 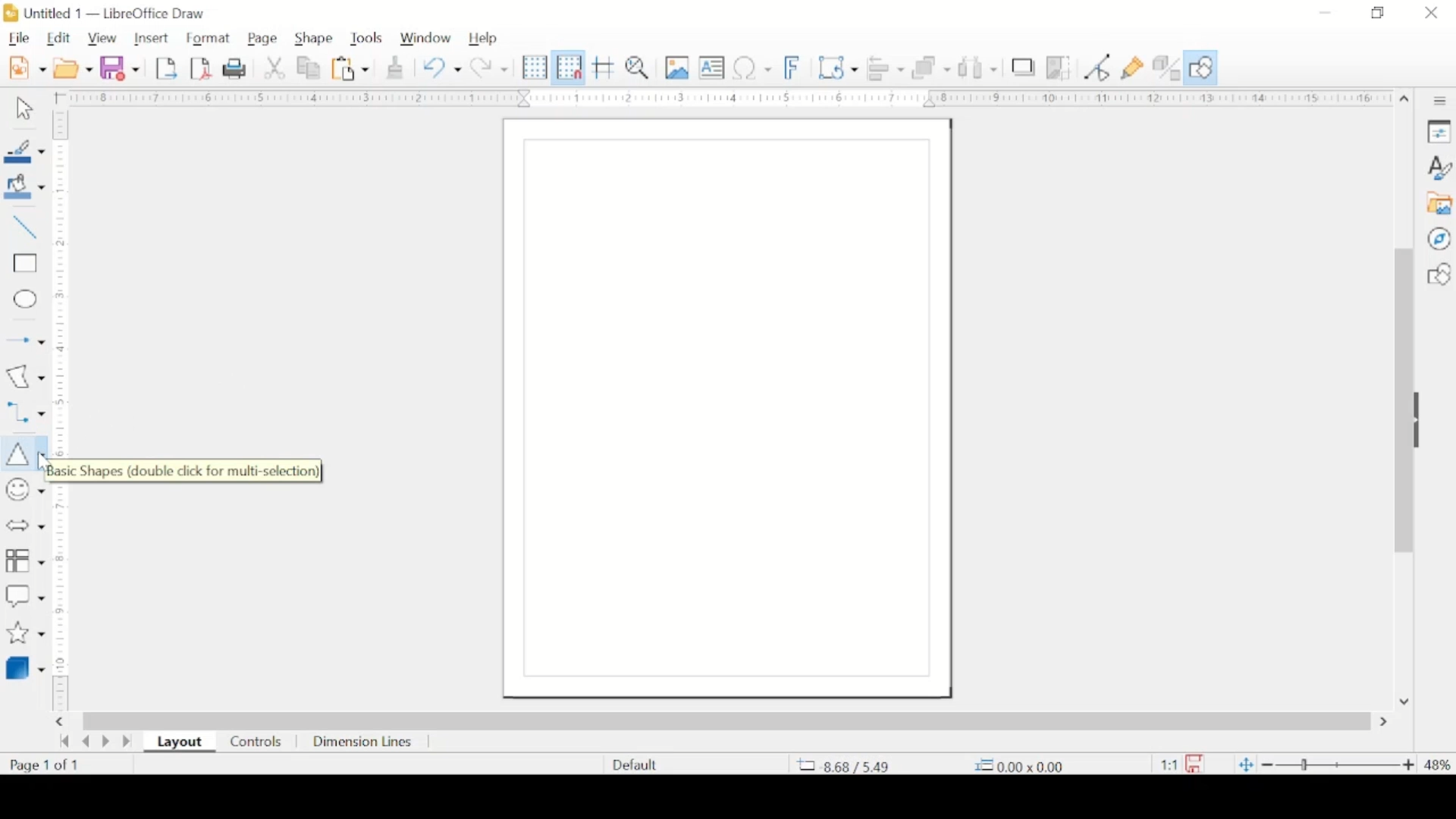 I want to click on crop image, so click(x=1062, y=68).